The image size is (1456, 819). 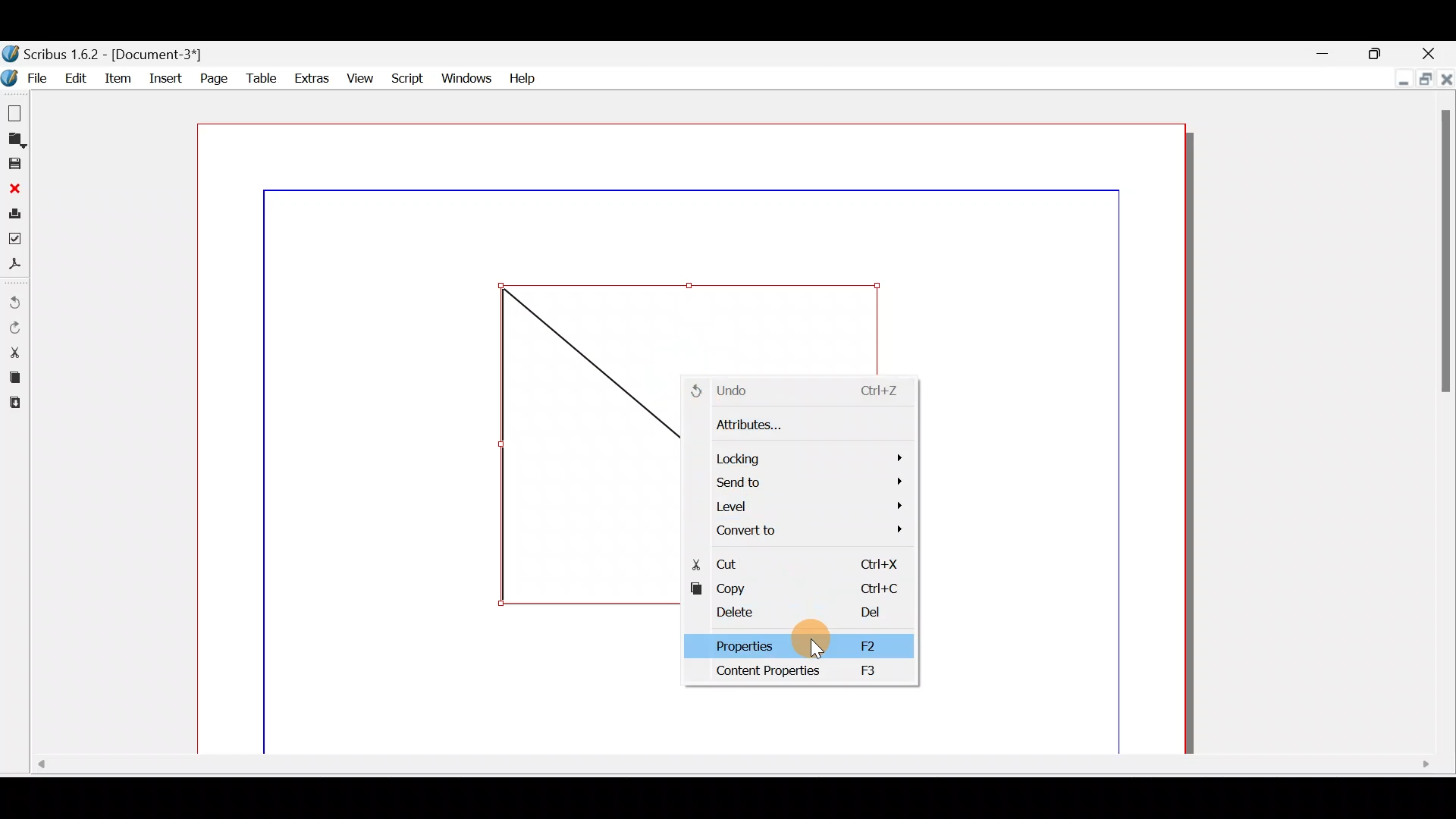 I want to click on Open, so click(x=17, y=139).